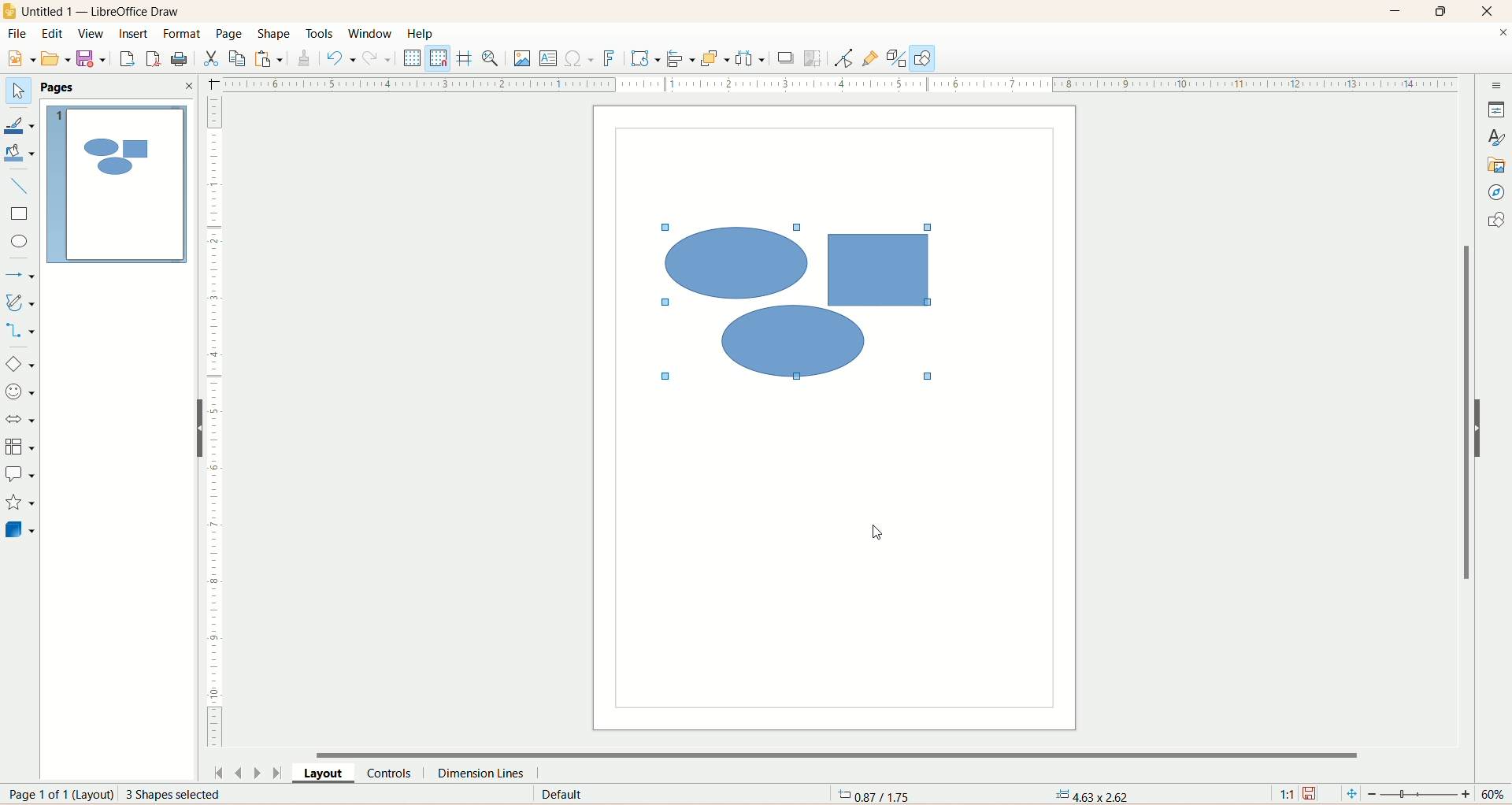  Describe the element at coordinates (611, 57) in the screenshot. I see `fontwork text` at that location.